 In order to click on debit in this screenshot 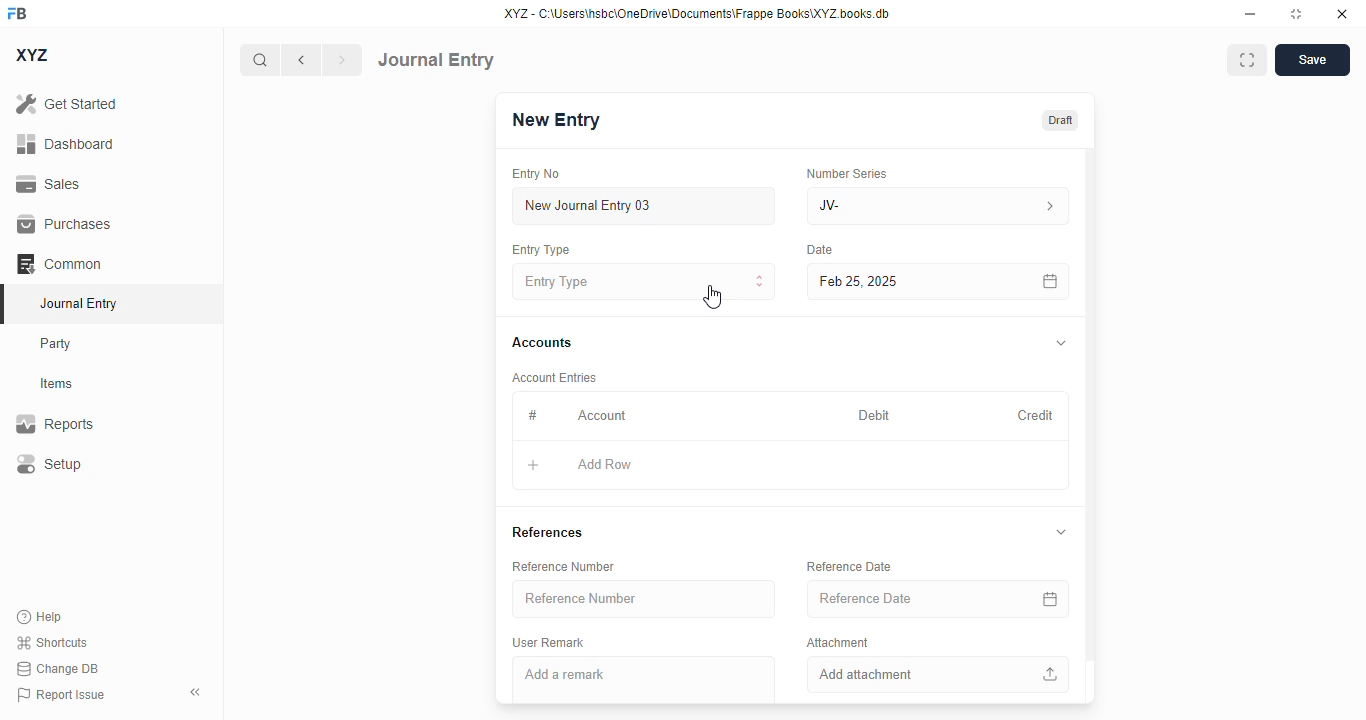, I will do `click(875, 417)`.